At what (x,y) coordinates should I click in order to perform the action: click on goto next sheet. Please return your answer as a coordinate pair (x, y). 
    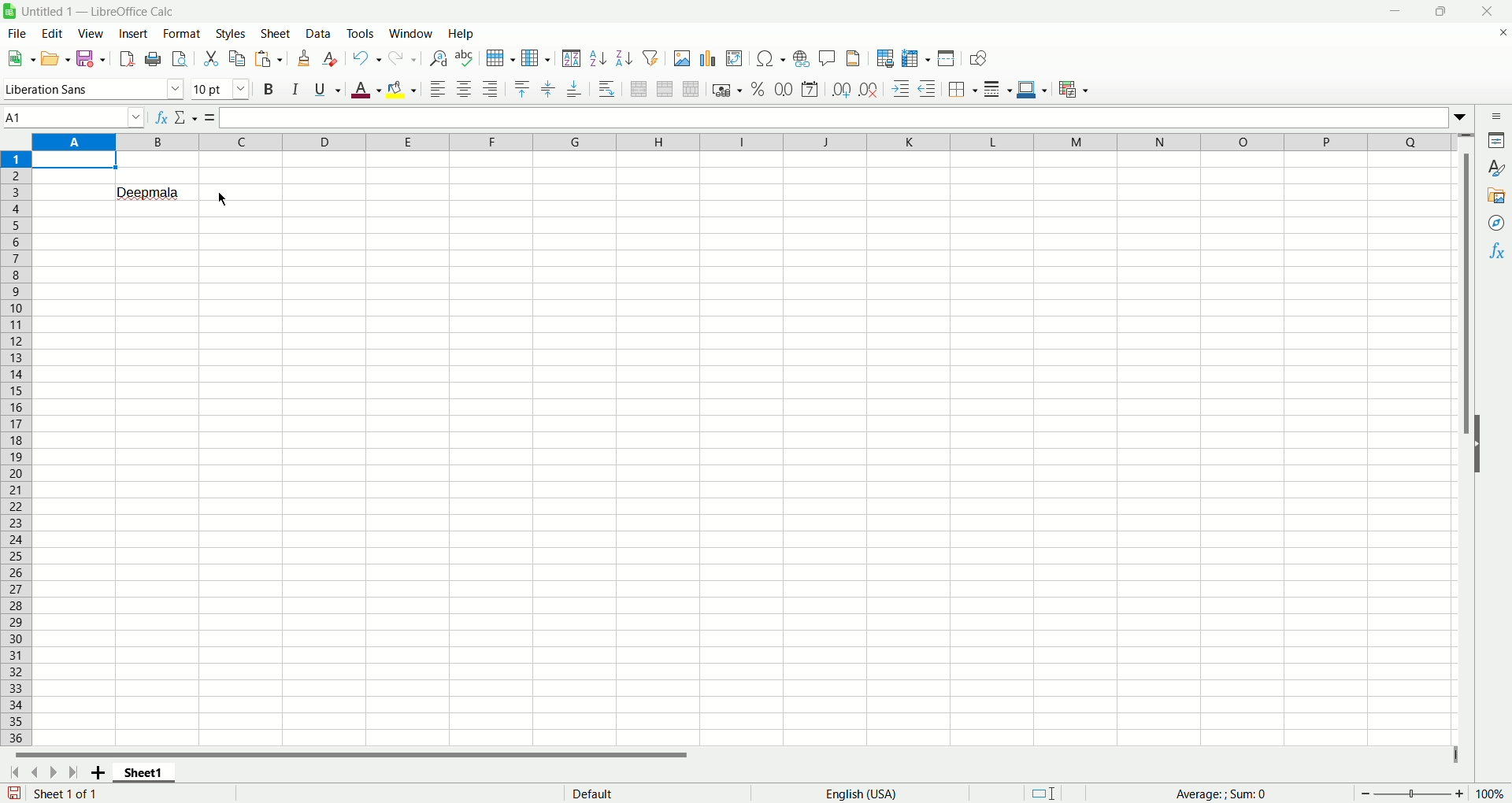
    Looking at the image, I should click on (51, 773).